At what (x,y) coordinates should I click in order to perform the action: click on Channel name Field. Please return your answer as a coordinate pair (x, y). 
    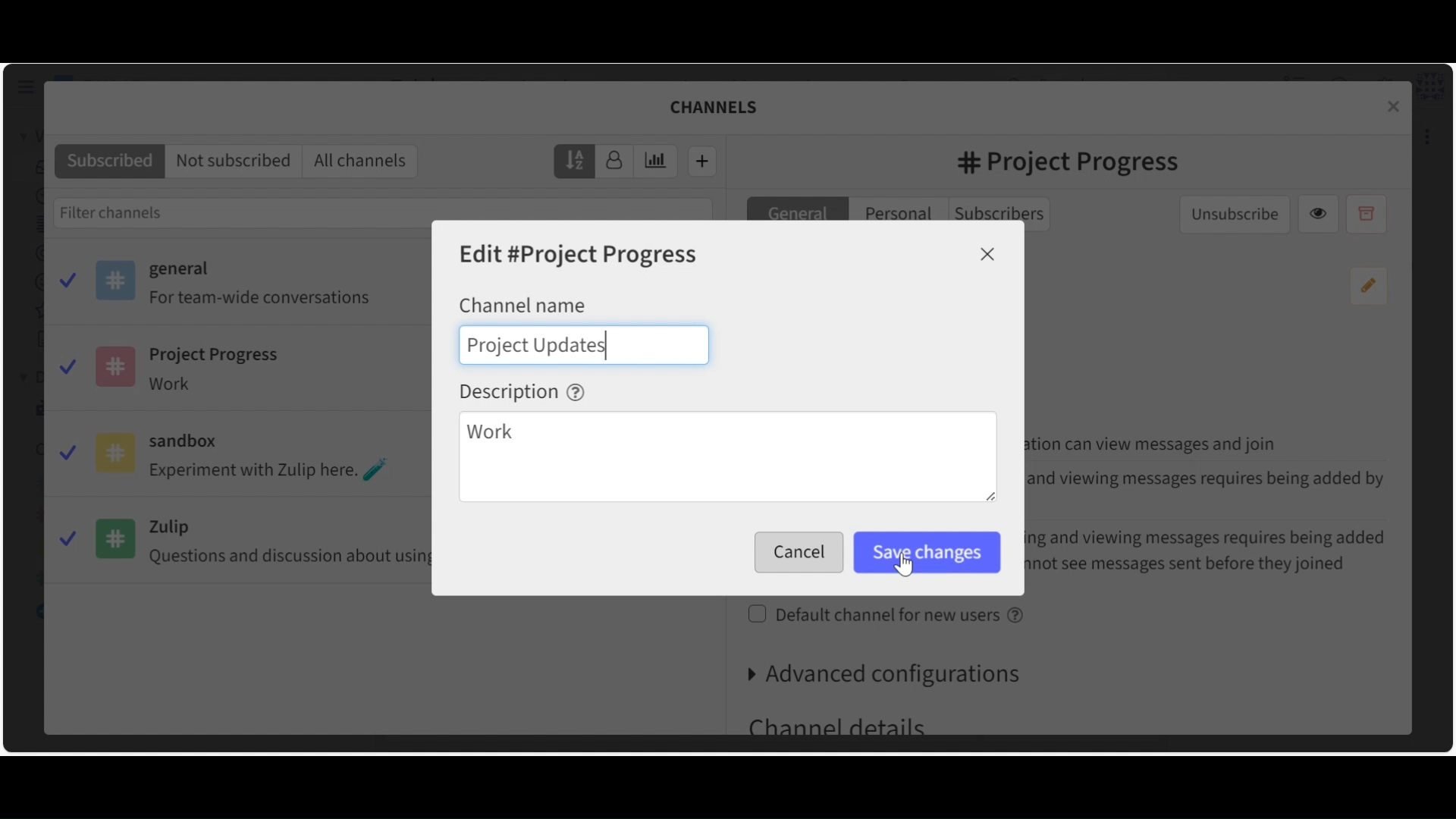
    Looking at the image, I should click on (584, 344).